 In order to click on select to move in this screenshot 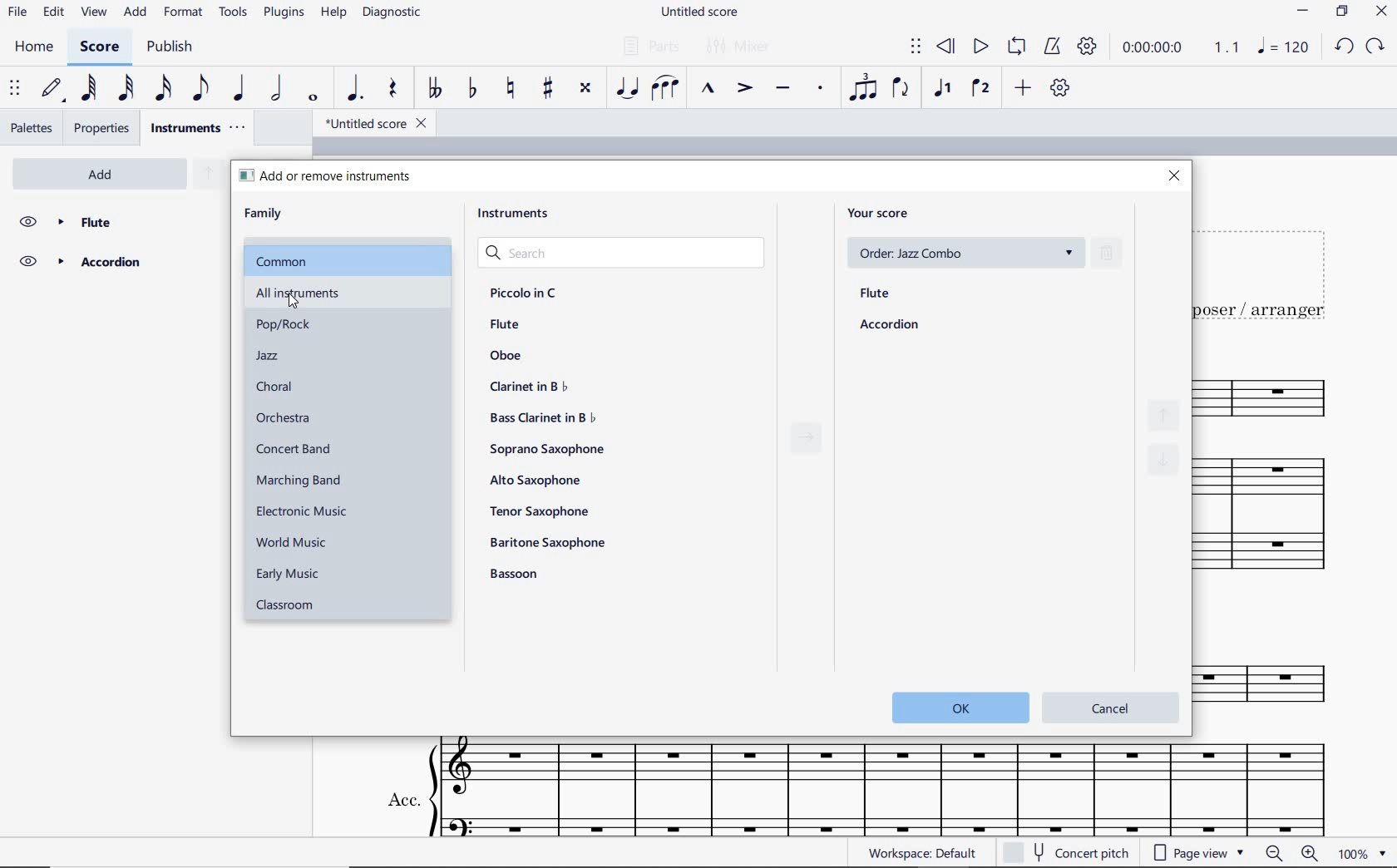, I will do `click(916, 47)`.